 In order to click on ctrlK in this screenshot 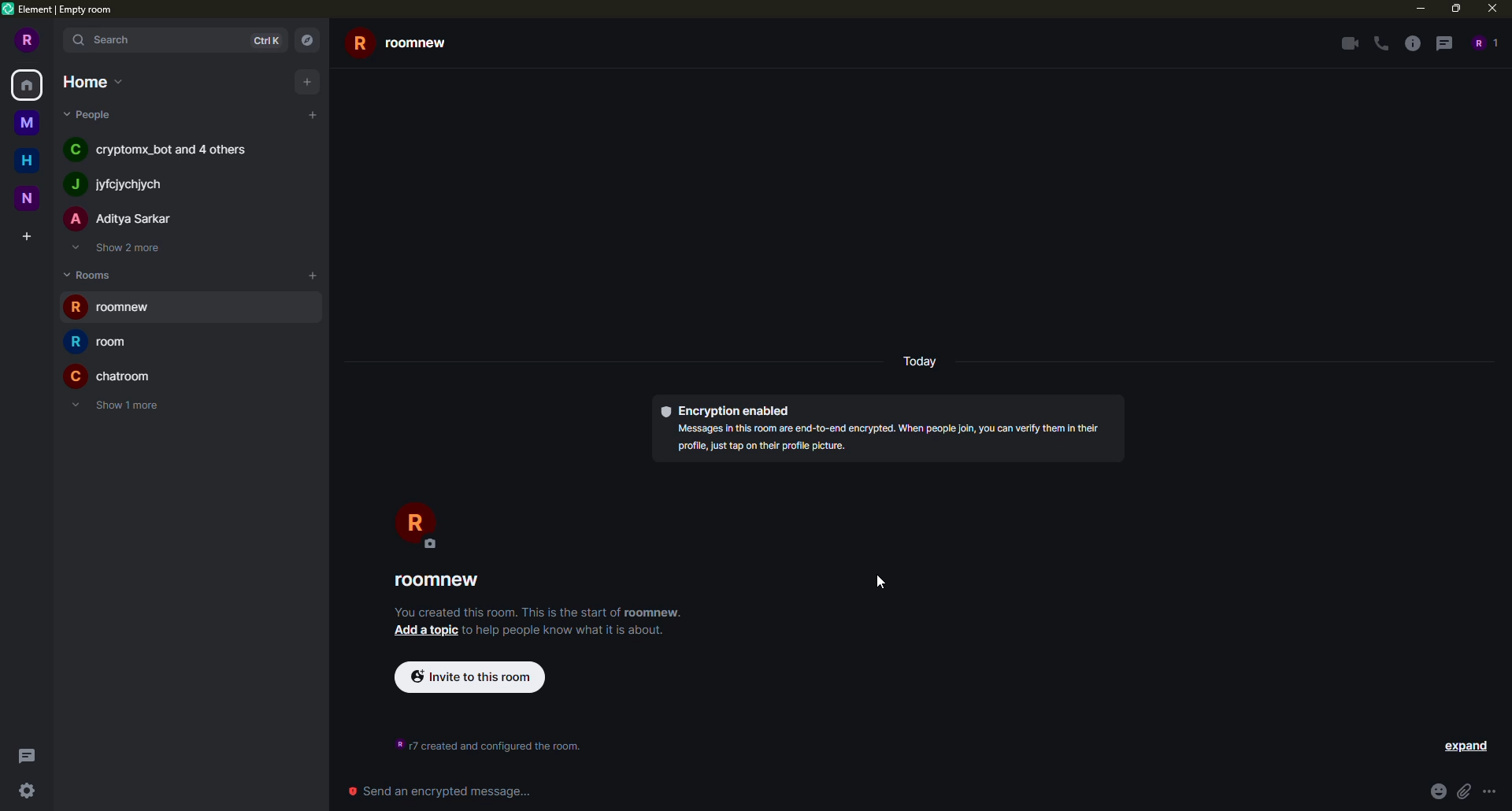, I will do `click(265, 41)`.